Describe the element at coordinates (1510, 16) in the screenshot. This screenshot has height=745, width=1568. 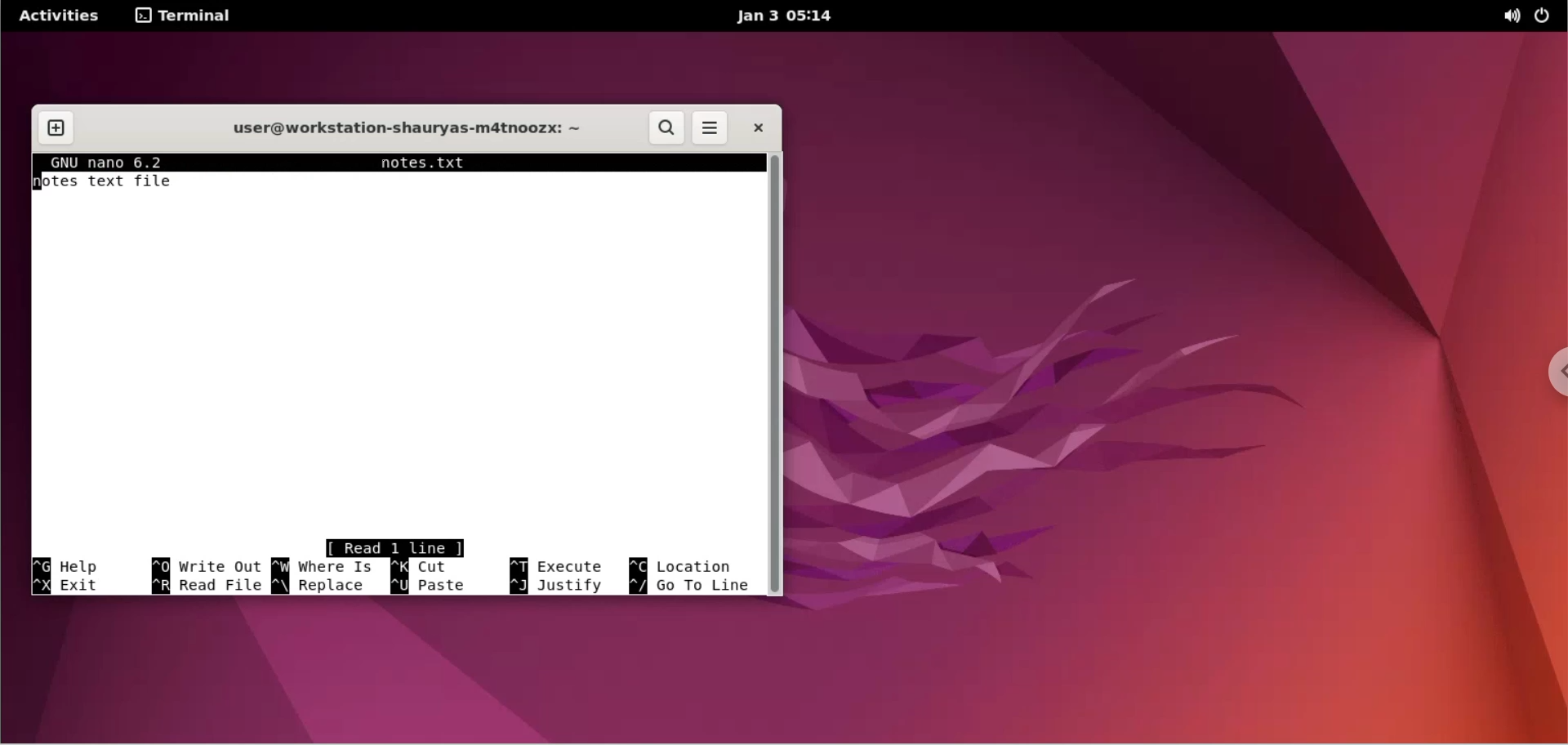
I see `sound options` at that location.